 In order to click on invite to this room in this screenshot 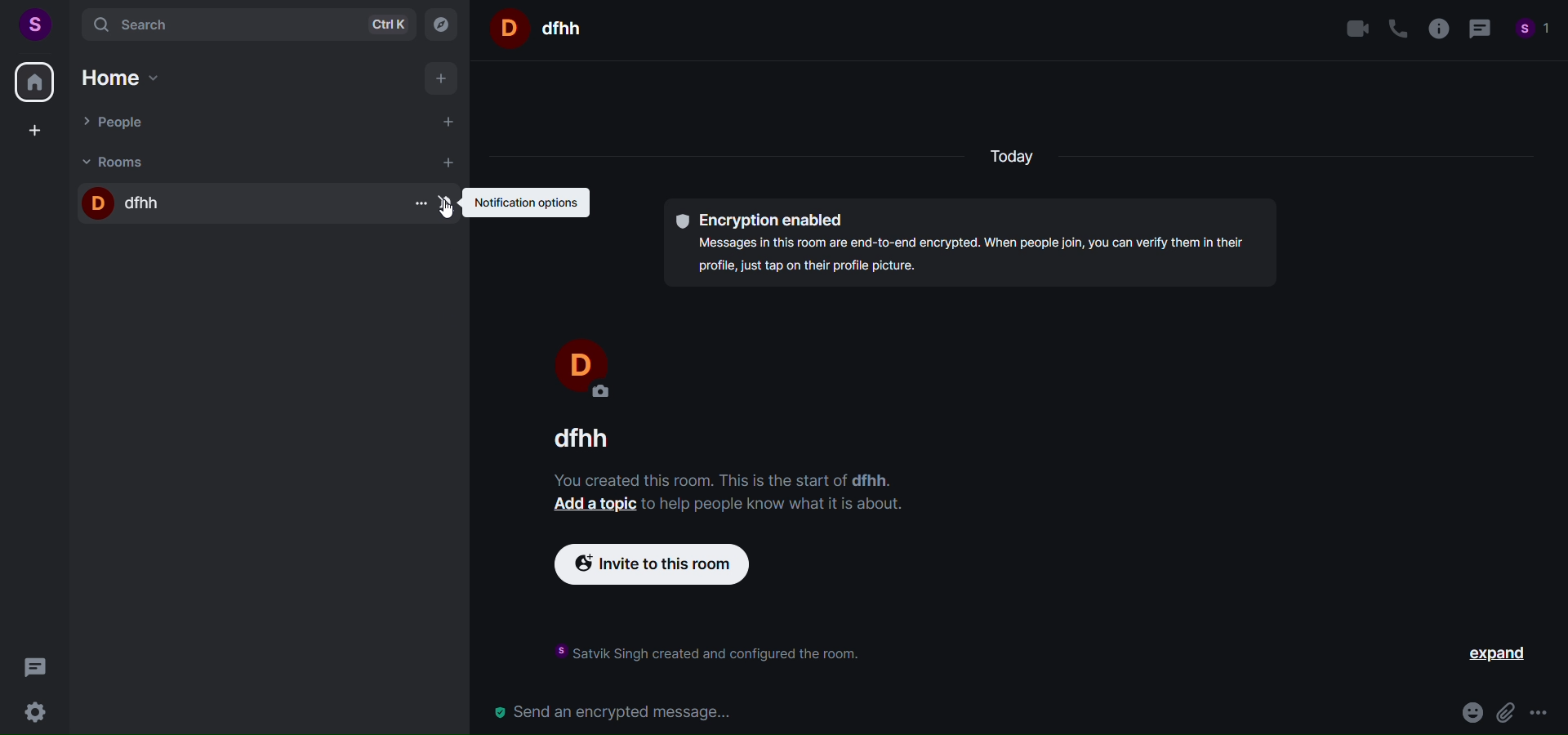, I will do `click(666, 565)`.